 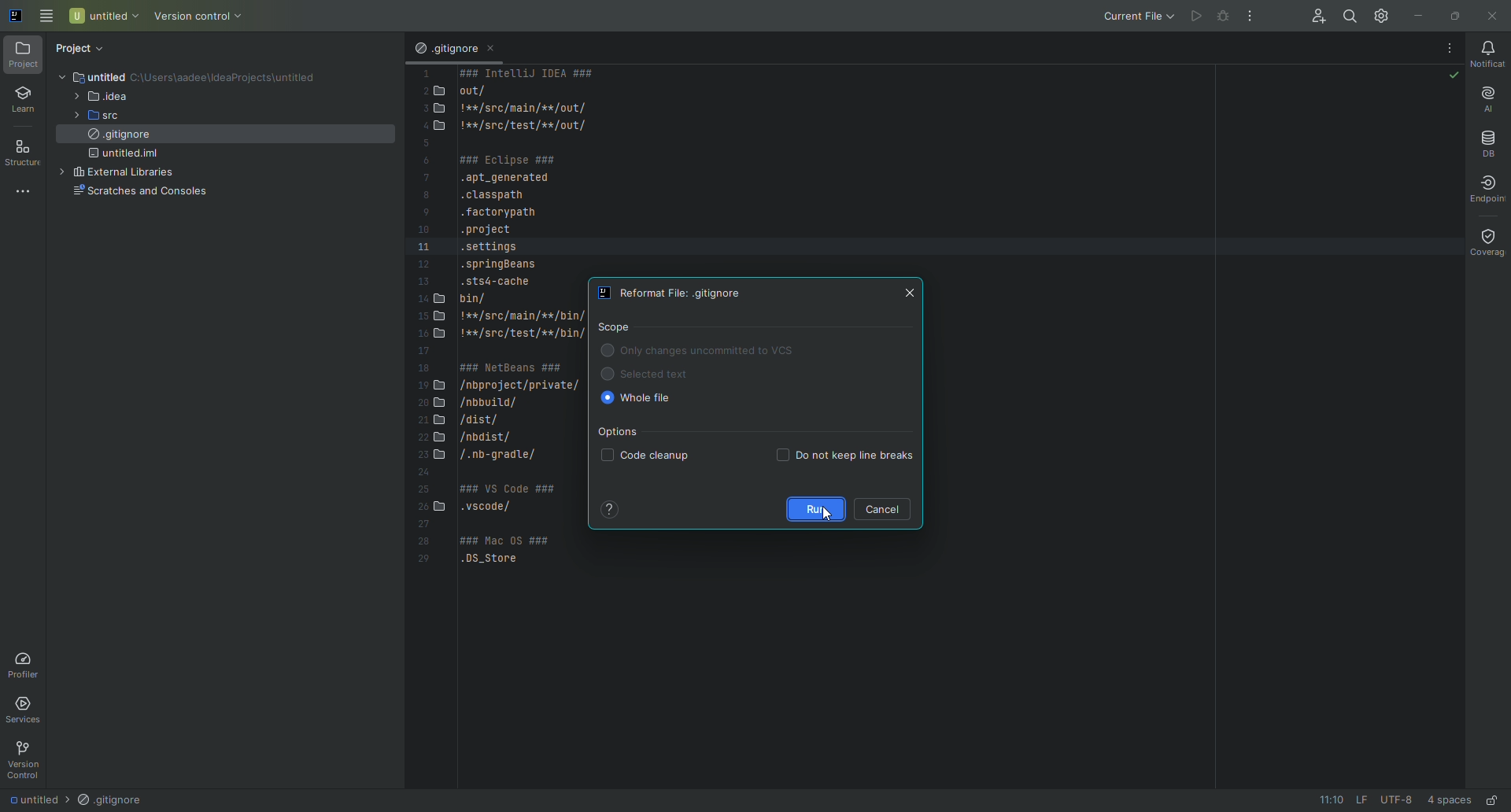 I want to click on src, so click(x=108, y=117).